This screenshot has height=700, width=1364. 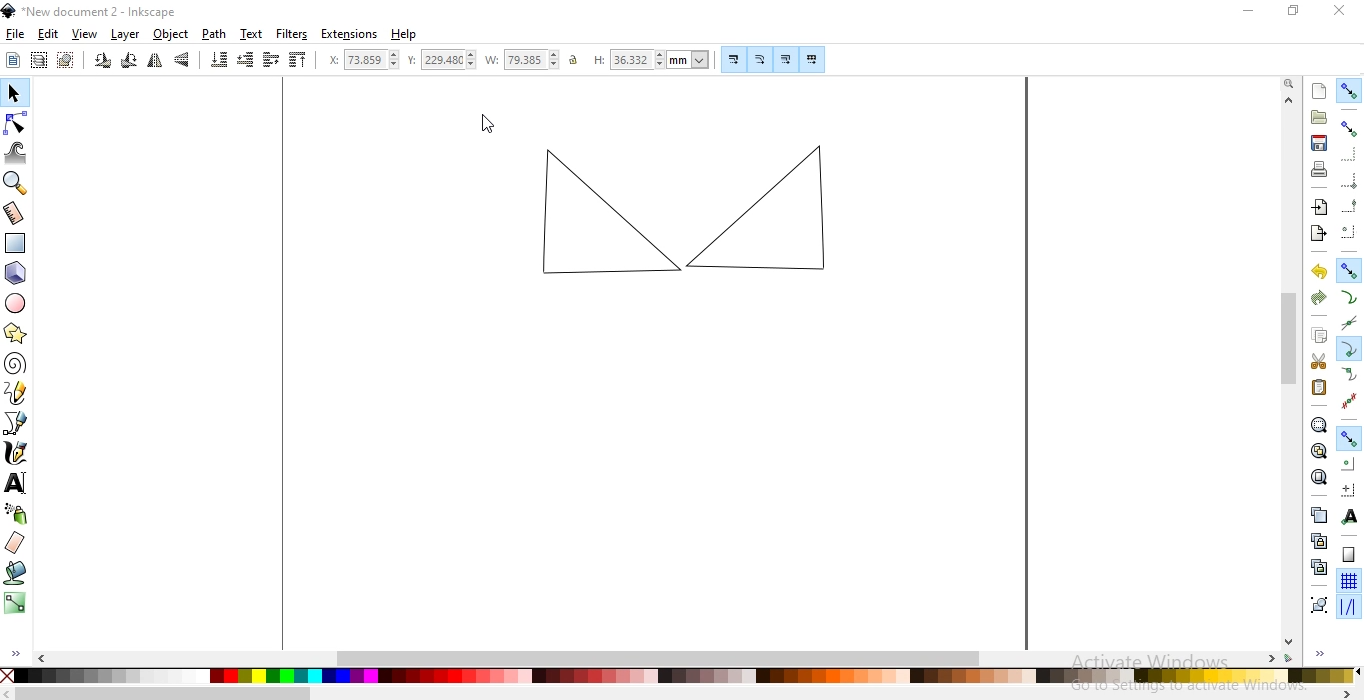 What do you see at coordinates (1319, 567) in the screenshot?
I see `cut the selected clone links` at bounding box center [1319, 567].